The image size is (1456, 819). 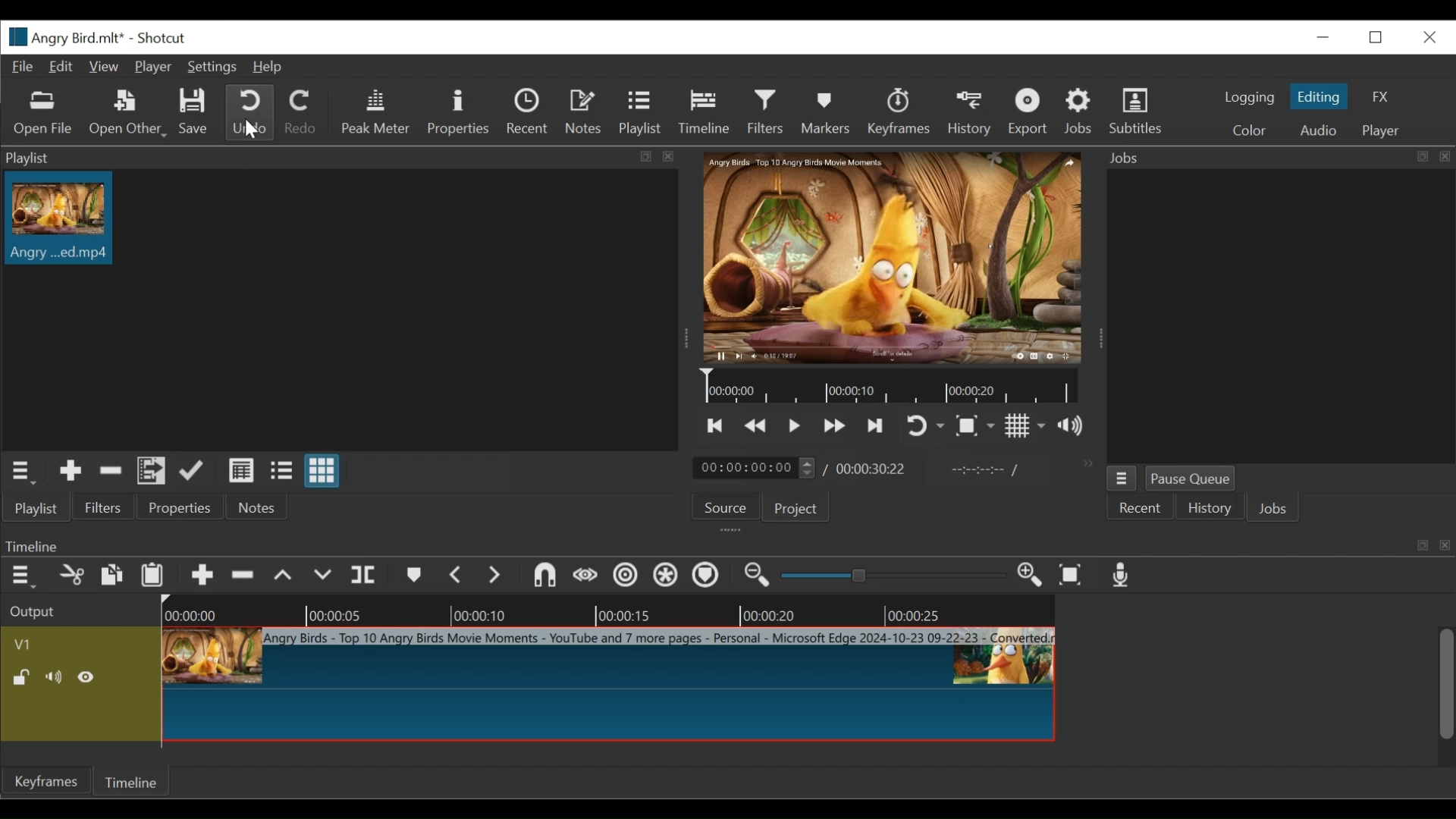 What do you see at coordinates (212, 66) in the screenshot?
I see `Settings` at bounding box center [212, 66].